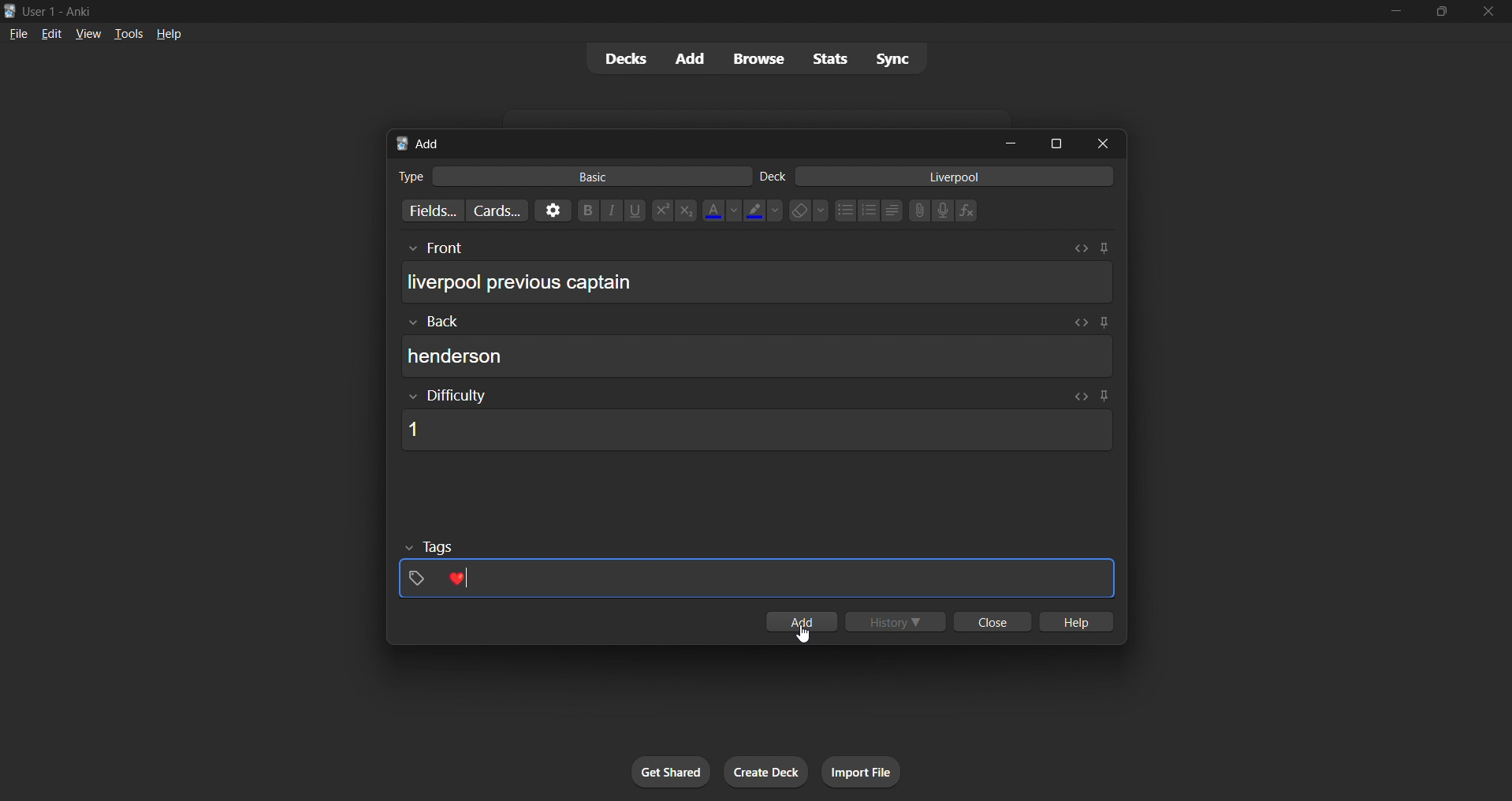 Image resolution: width=1512 pixels, height=801 pixels. What do you see at coordinates (550, 210) in the screenshot?
I see `options` at bounding box center [550, 210].